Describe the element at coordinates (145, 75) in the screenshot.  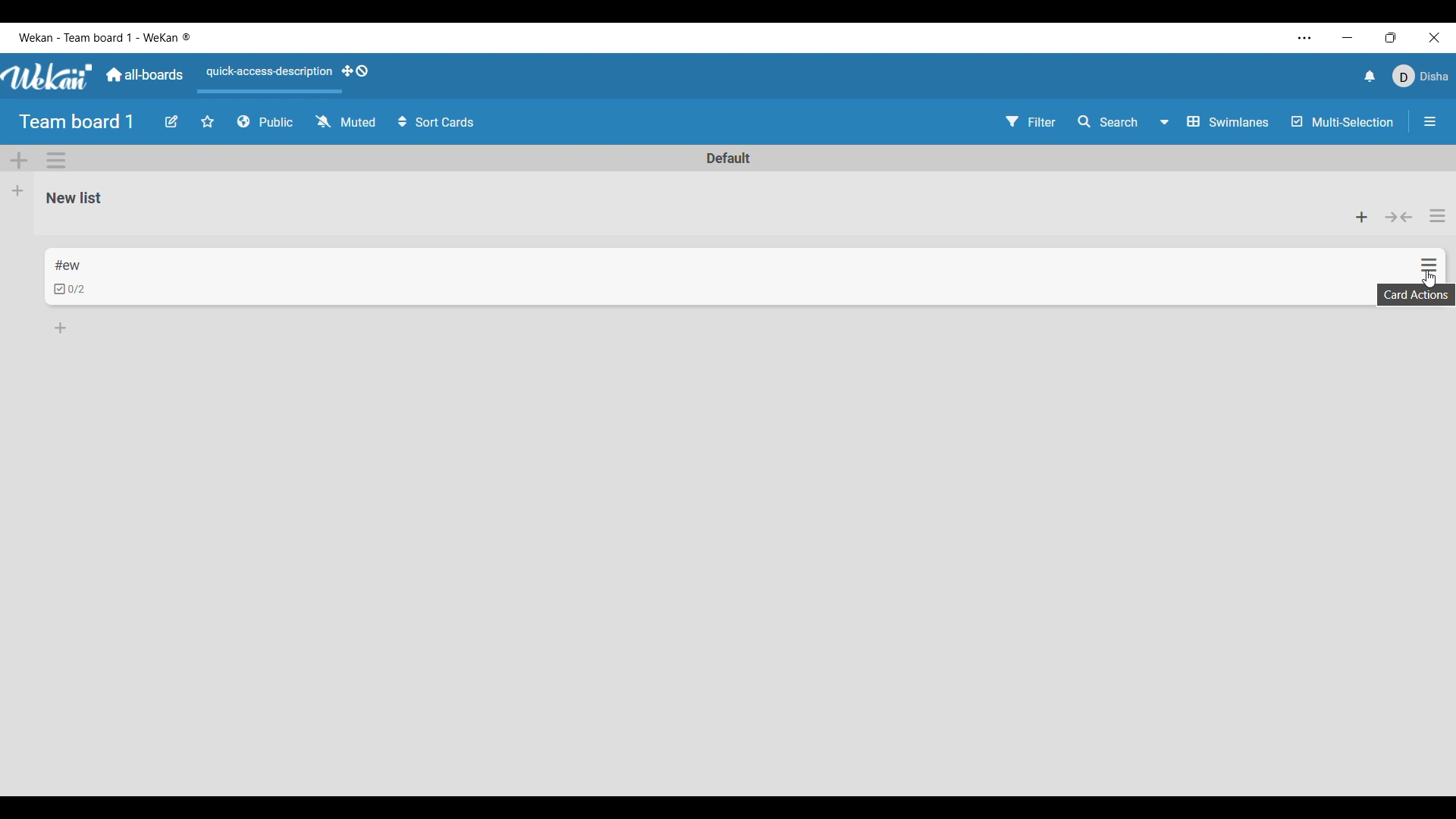
I see `Main dashboard` at that location.